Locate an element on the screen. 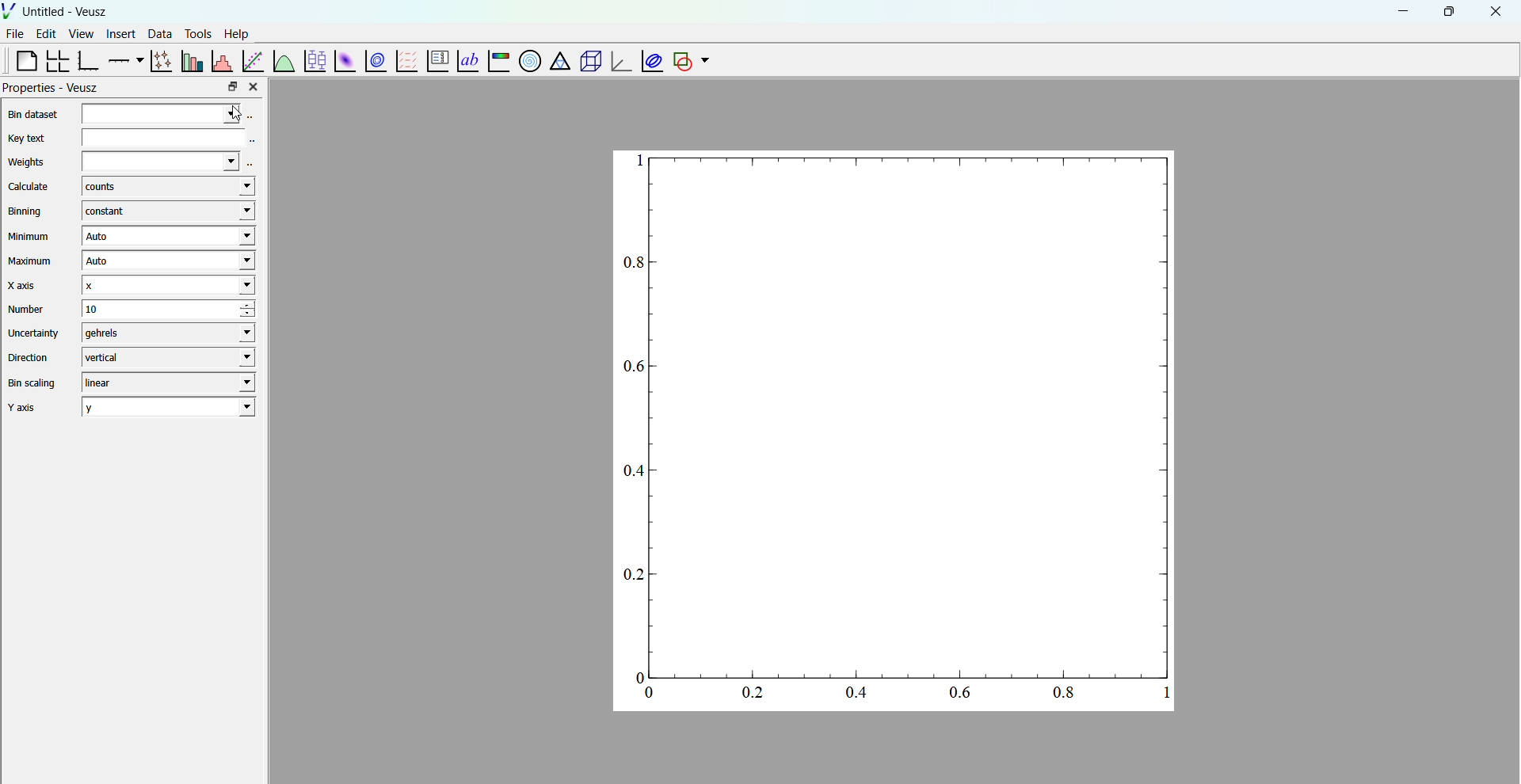  3d graph is located at coordinates (619, 63).